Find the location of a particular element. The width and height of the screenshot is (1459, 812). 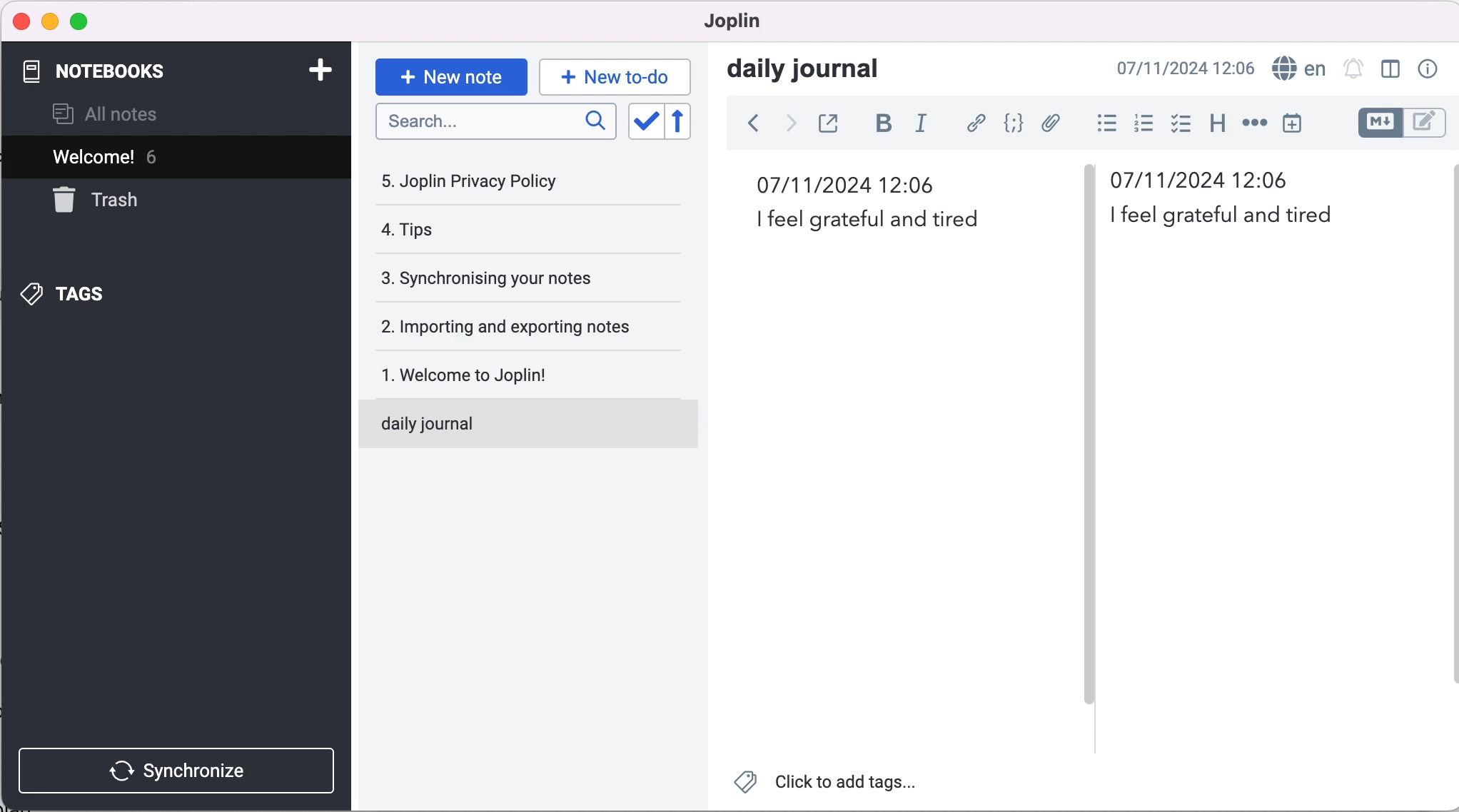

daily journal is located at coordinates (817, 71).